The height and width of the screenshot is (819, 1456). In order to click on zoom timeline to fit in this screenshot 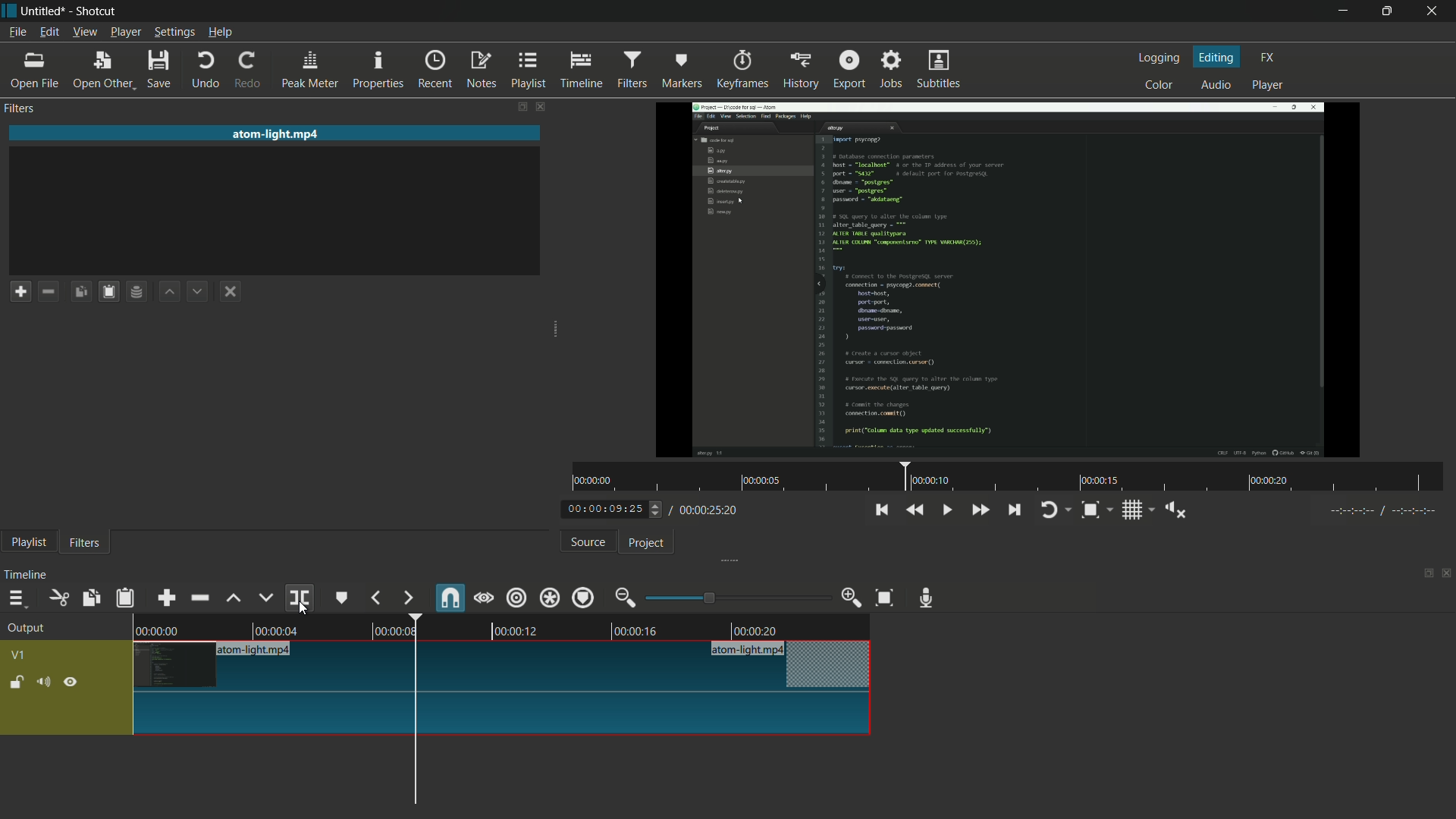, I will do `click(885, 599)`.